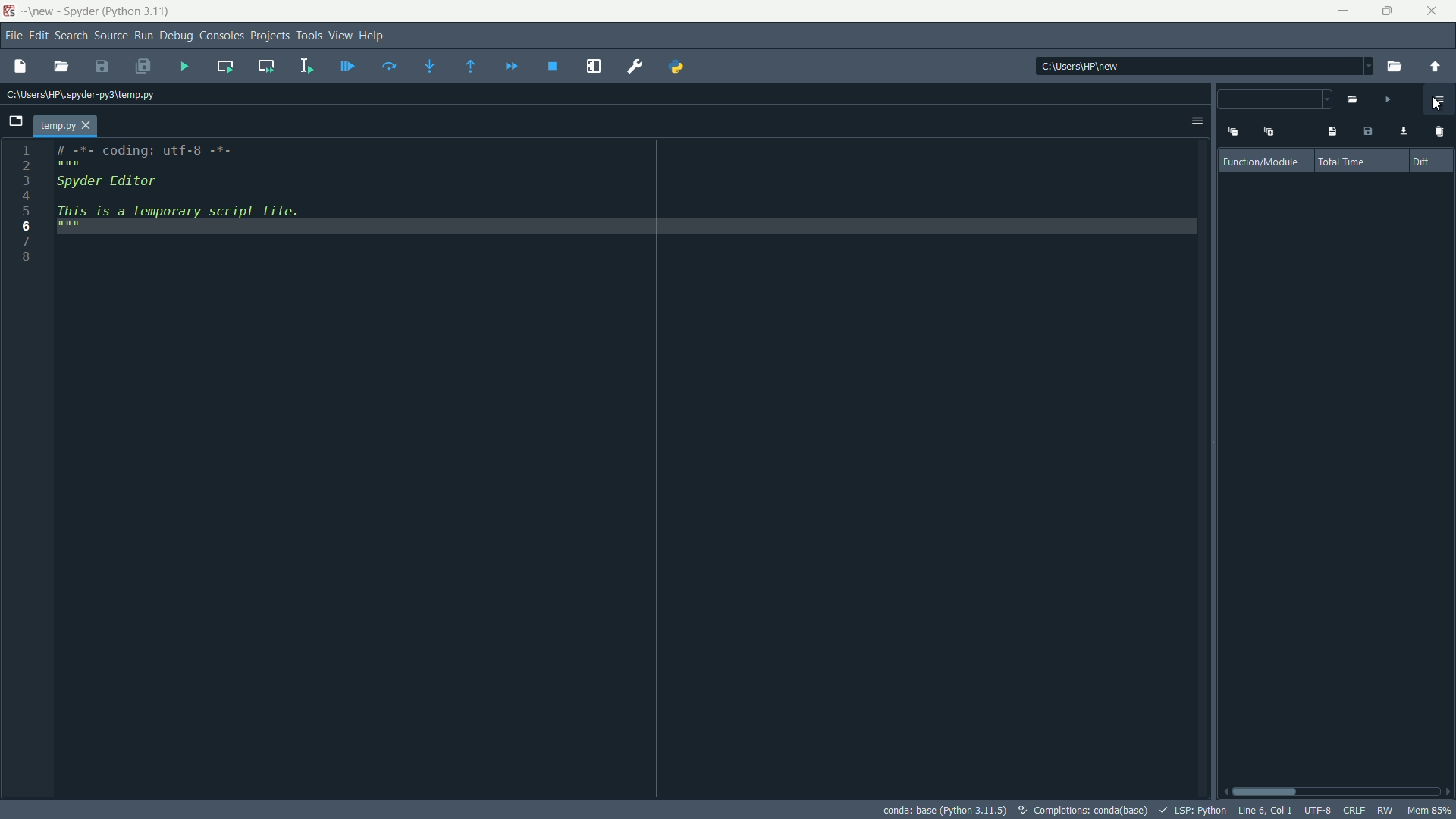  I want to click on debug menu, so click(175, 36).